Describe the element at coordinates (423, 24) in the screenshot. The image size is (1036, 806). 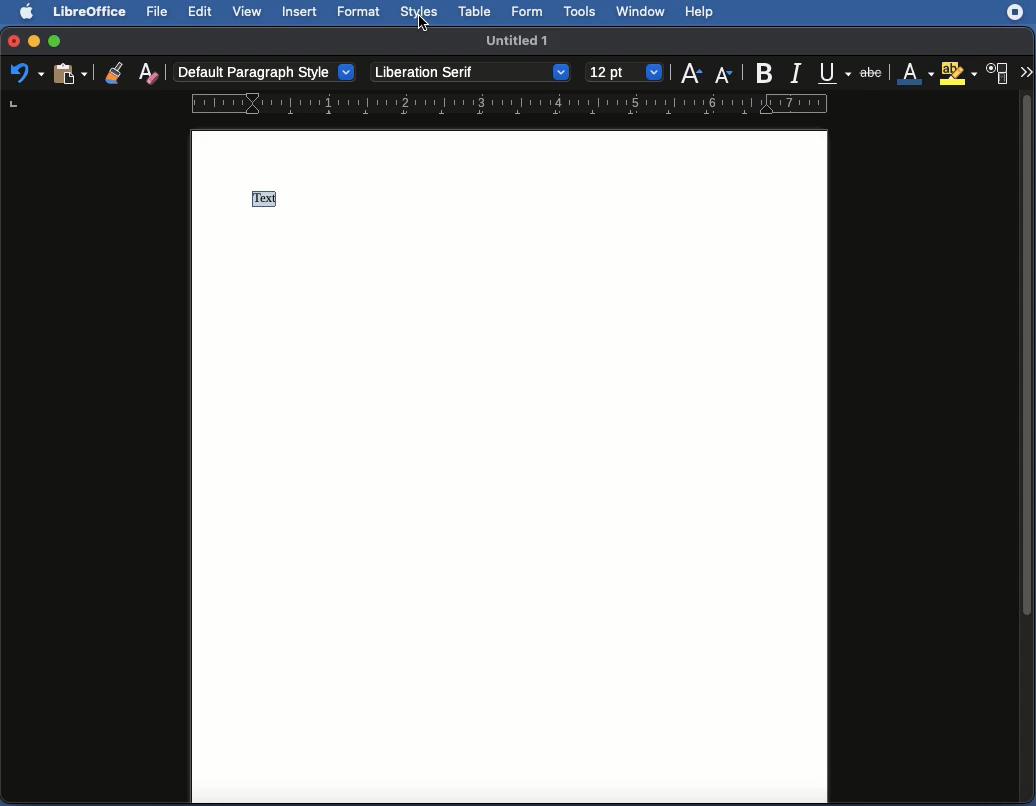
I see `cursor` at that location.